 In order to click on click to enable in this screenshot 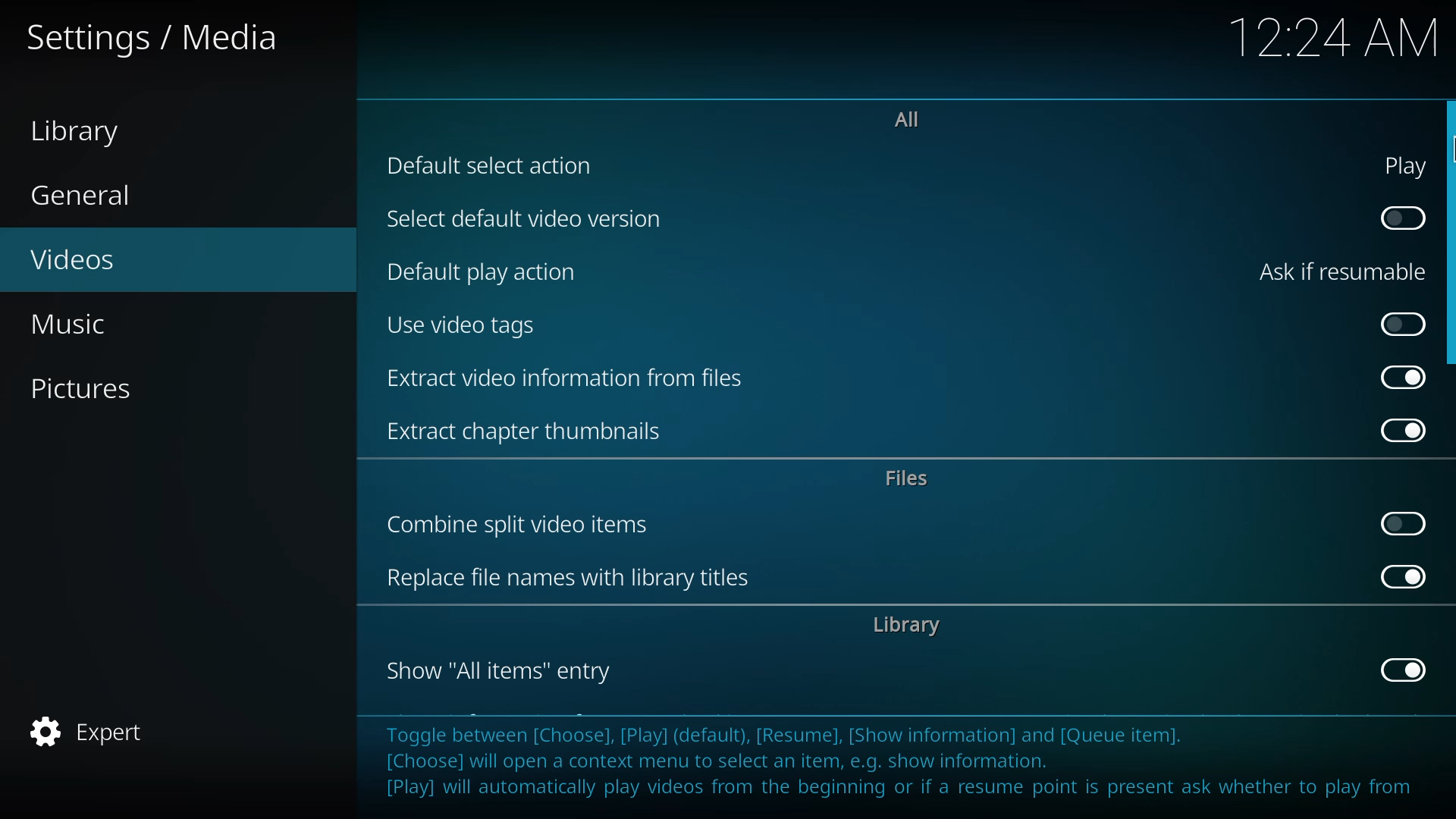, I will do `click(1402, 216)`.